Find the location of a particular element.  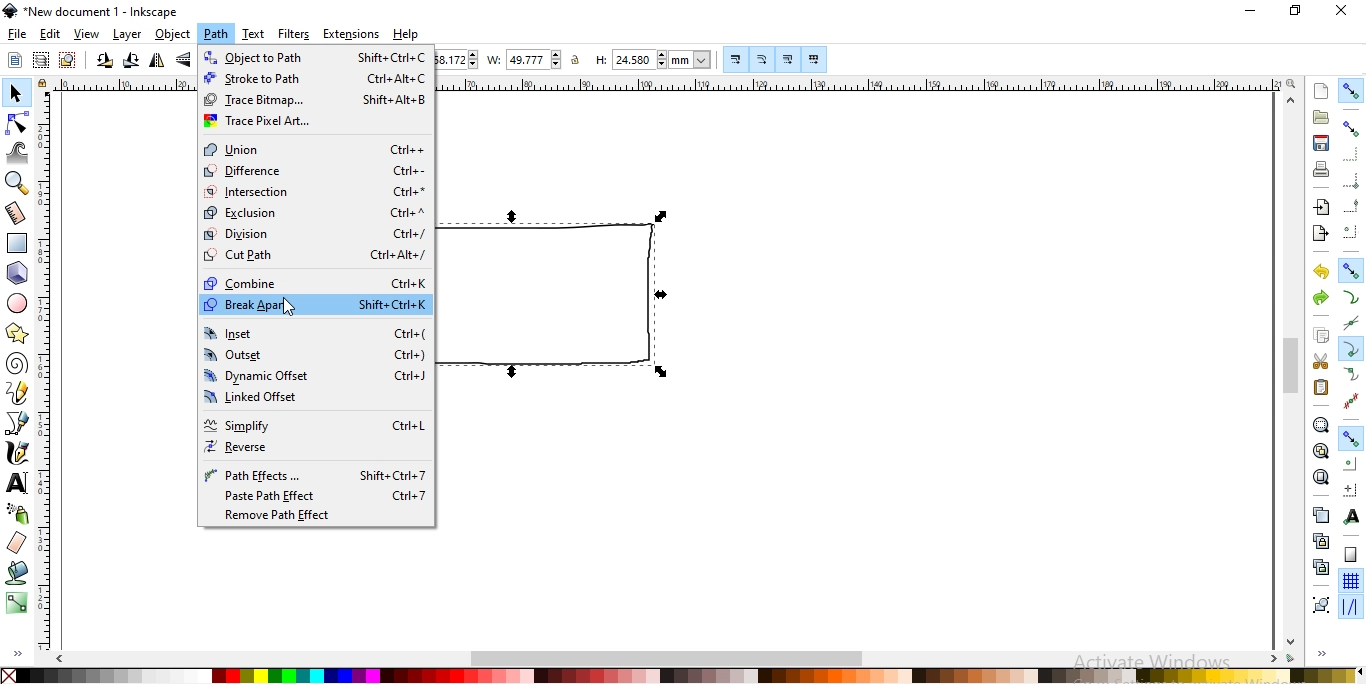

create rectangles or squares is located at coordinates (19, 243).